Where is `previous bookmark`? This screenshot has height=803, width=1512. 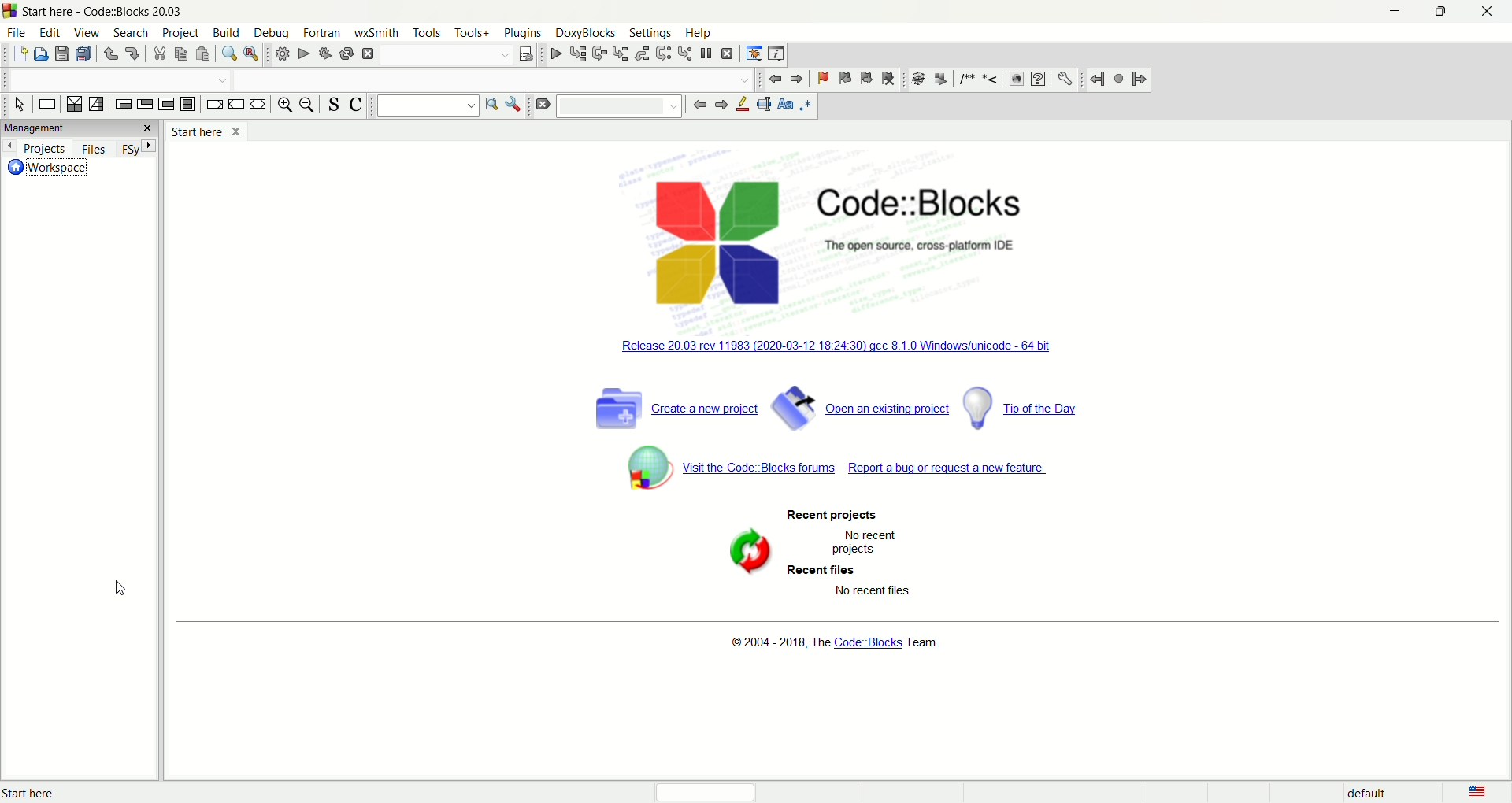
previous bookmark is located at coordinates (847, 77).